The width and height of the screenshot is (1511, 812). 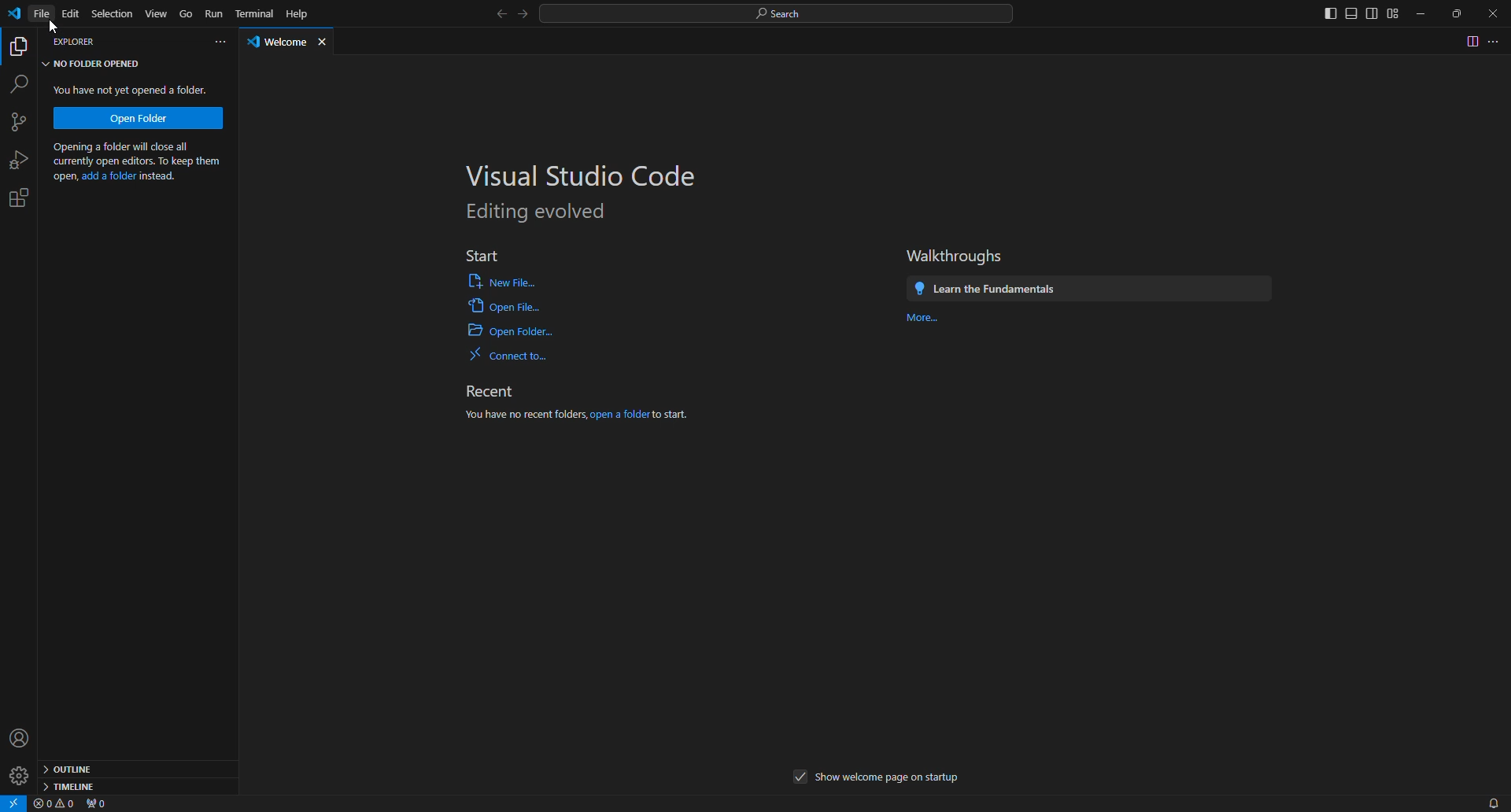 What do you see at coordinates (479, 252) in the screenshot?
I see `start` at bounding box center [479, 252].